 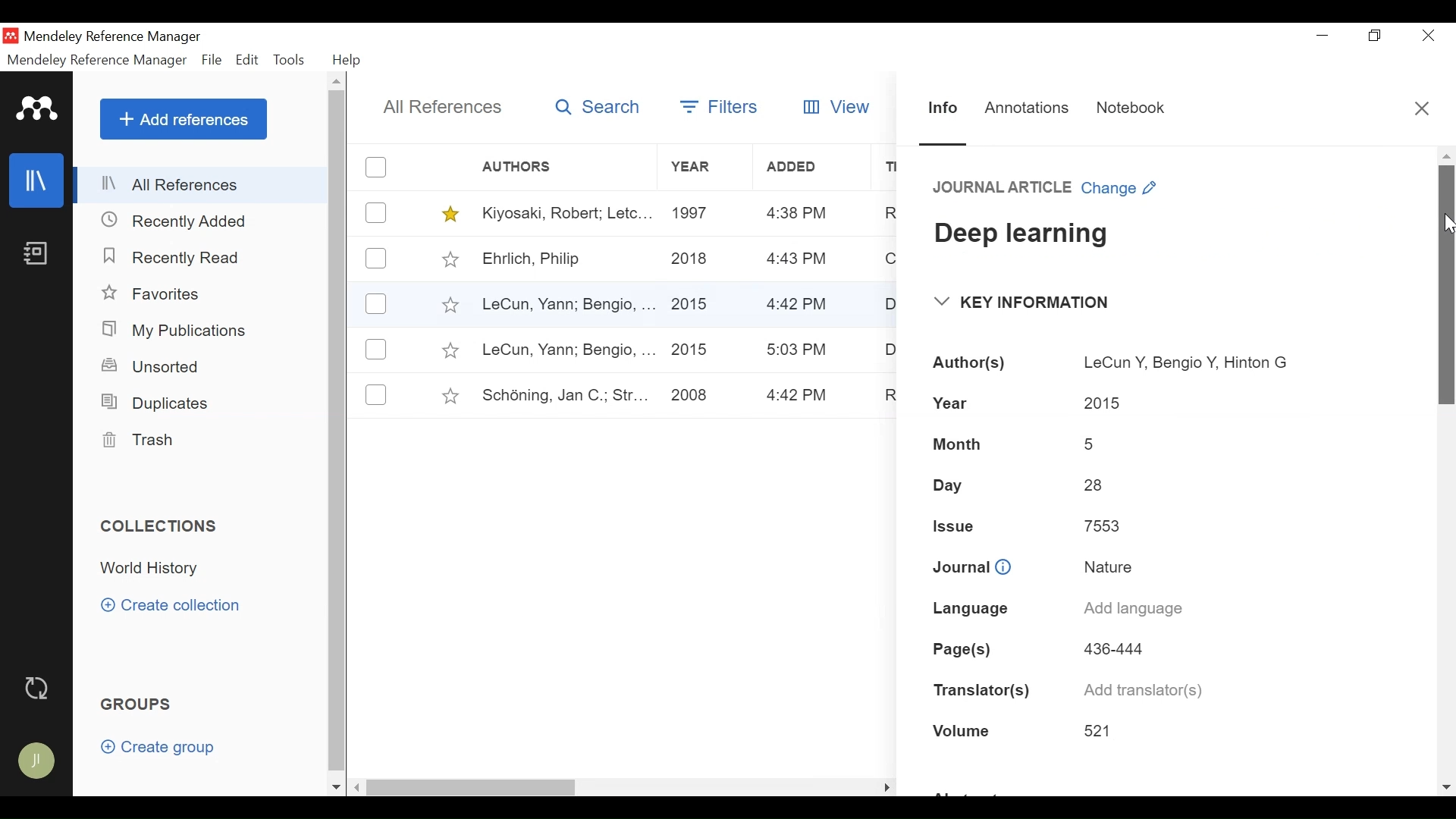 What do you see at coordinates (951, 484) in the screenshot?
I see `Day` at bounding box center [951, 484].